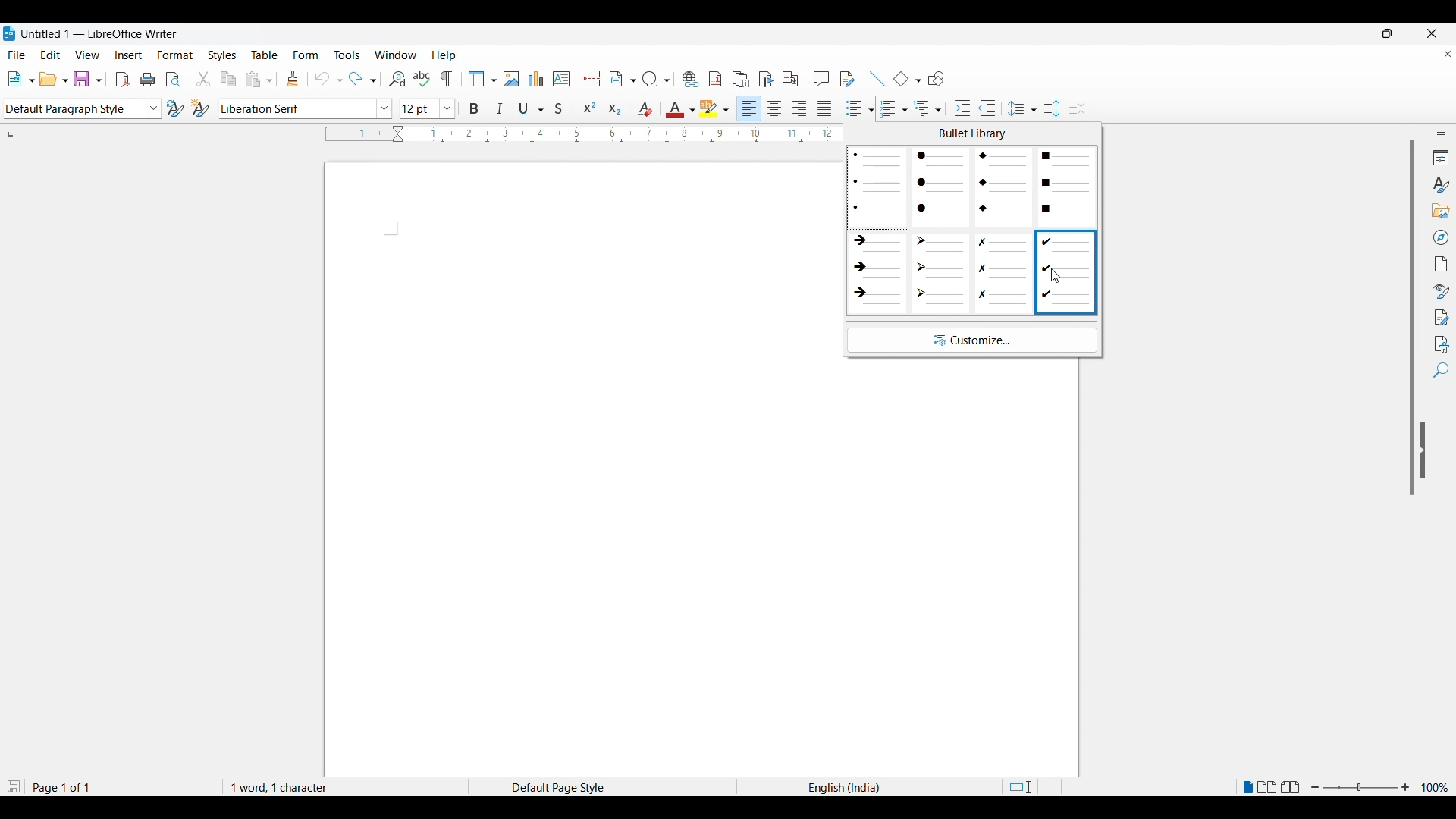  Describe the element at coordinates (13, 786) in the screenshot. I see `Click to save modifications in document` at that location.